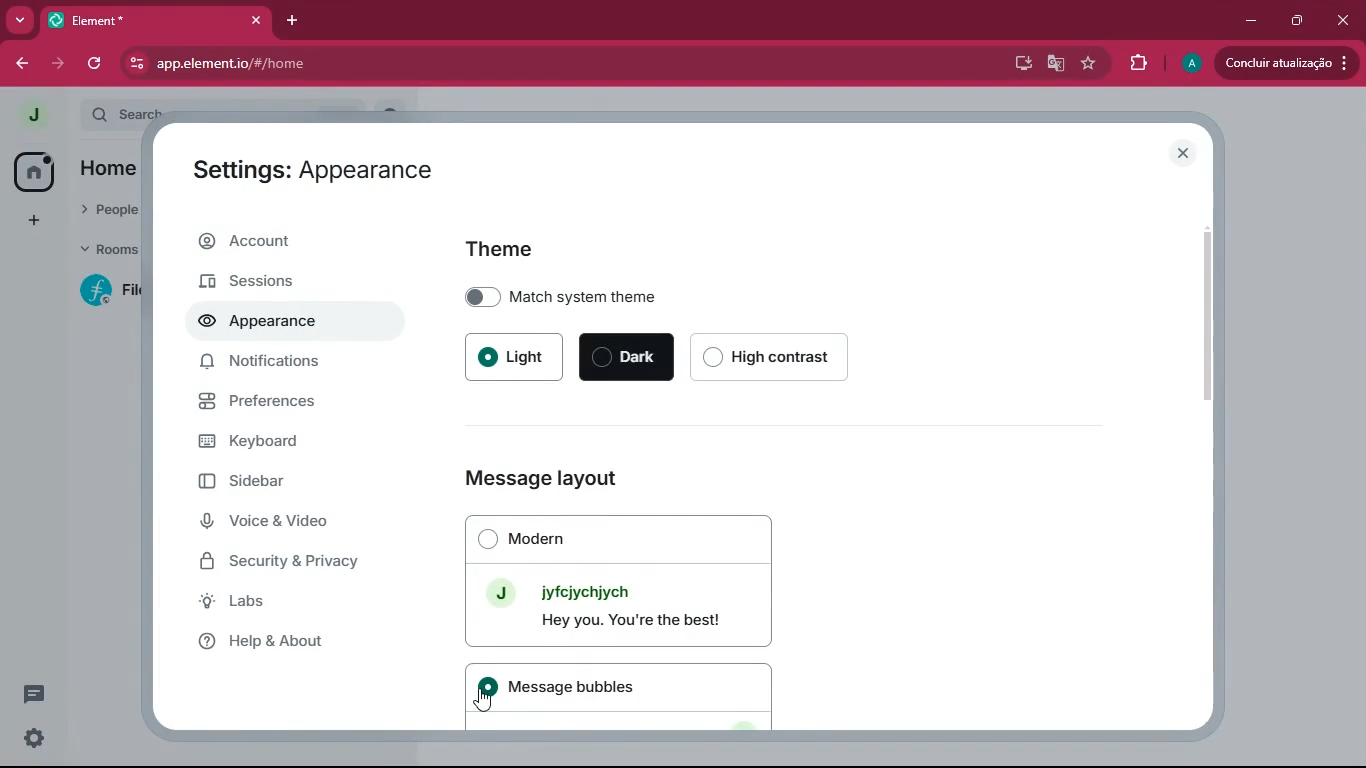 This screenshot has width=1366, height=768. What do you see at coordinates (396, 64) in the screenshot?
I see `app.elementio/#/home` at bounding box center [396, 64].